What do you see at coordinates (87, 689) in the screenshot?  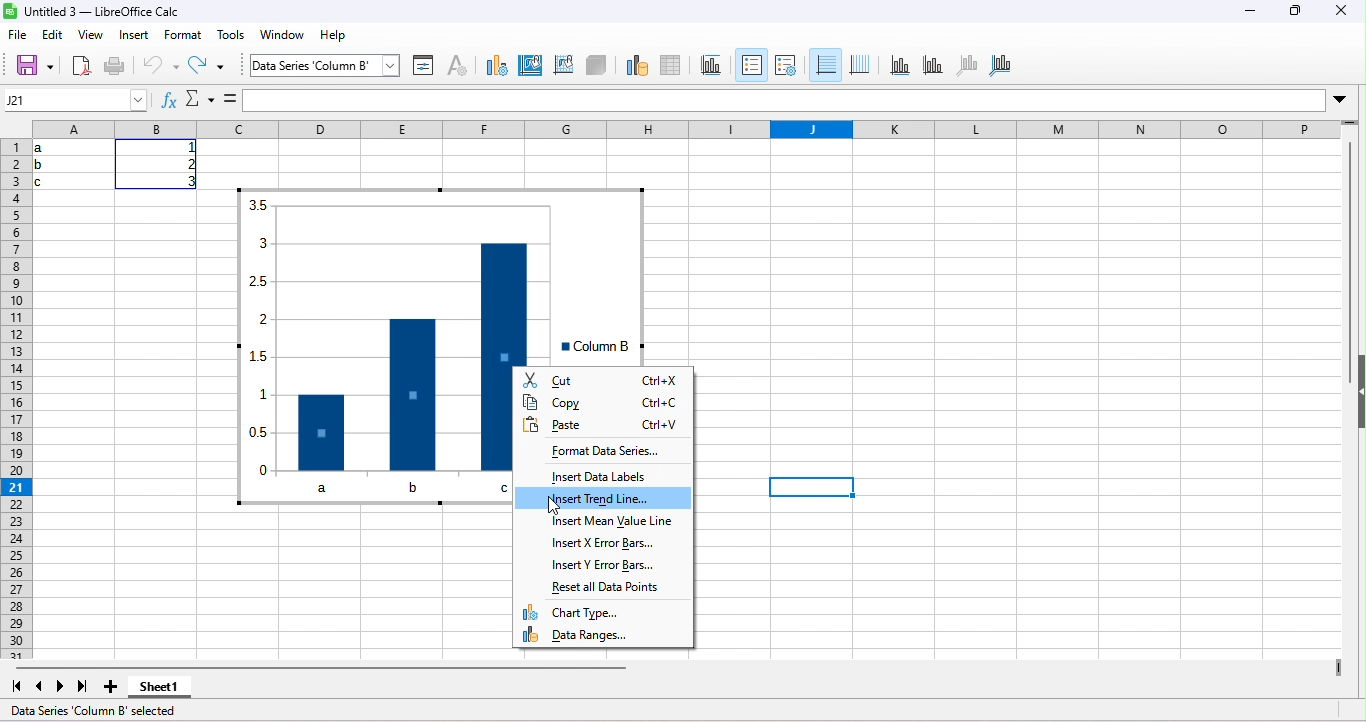 I see `last sheet` at bounding box center [87, 689].